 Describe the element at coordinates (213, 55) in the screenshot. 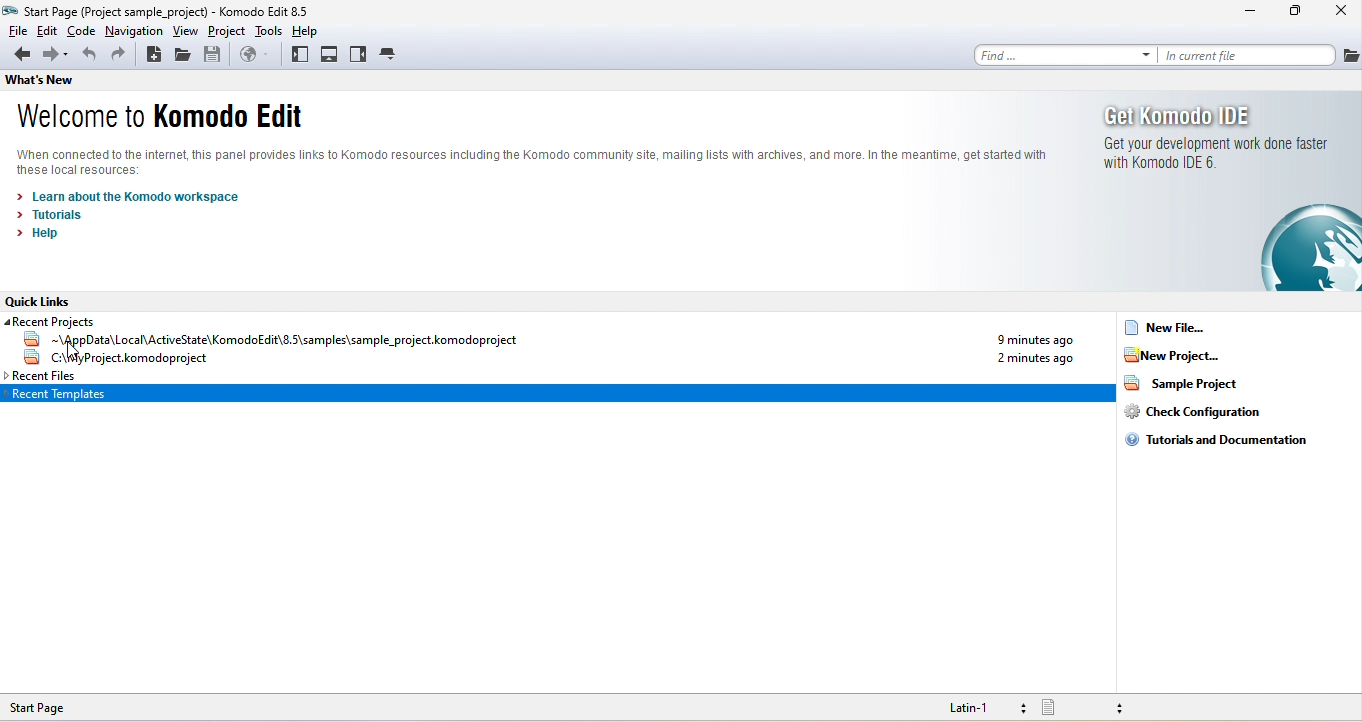

I see `save` at that location.